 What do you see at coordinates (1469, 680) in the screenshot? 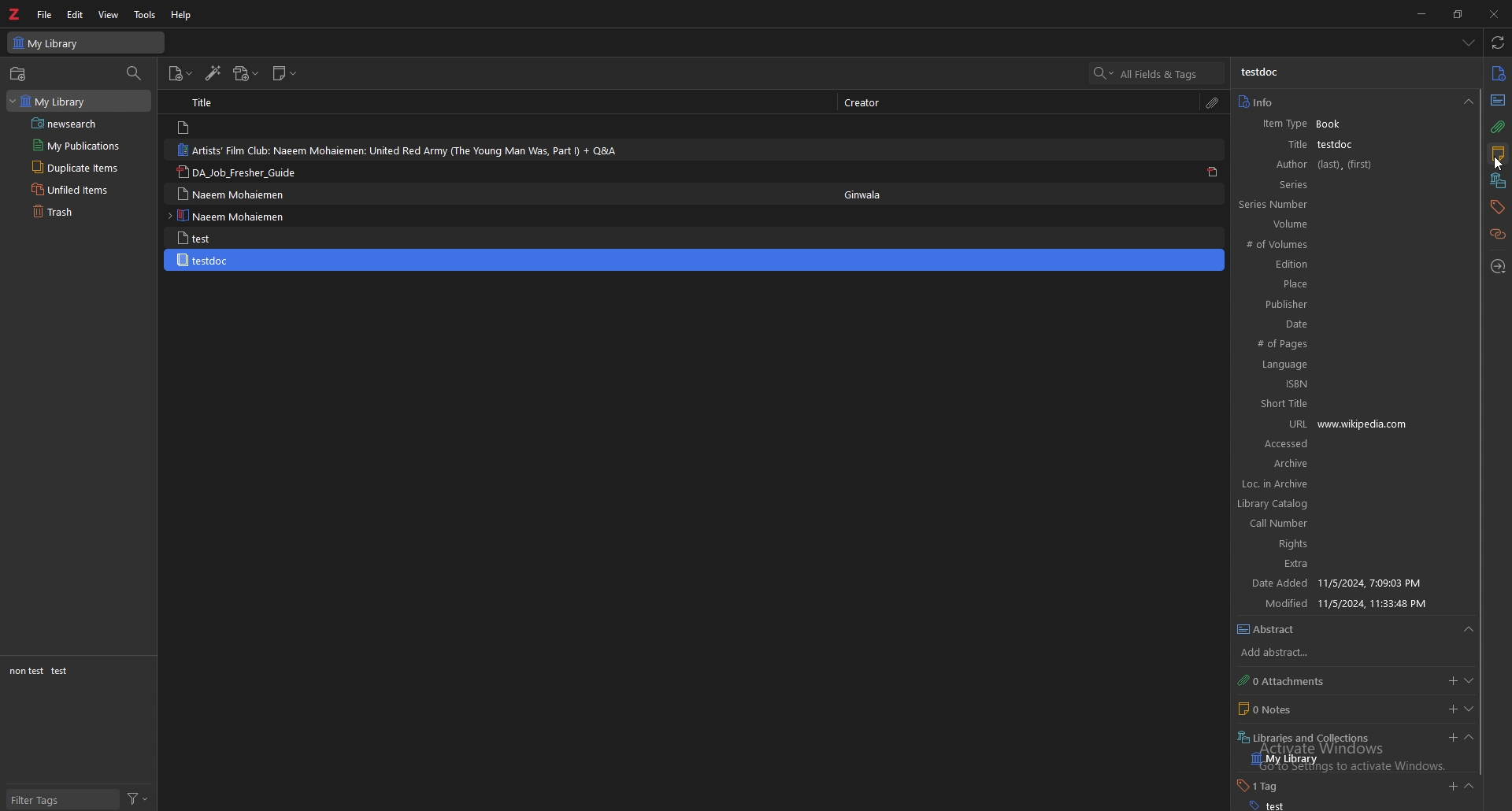
I see `show` at bounding box center [1469, 680].